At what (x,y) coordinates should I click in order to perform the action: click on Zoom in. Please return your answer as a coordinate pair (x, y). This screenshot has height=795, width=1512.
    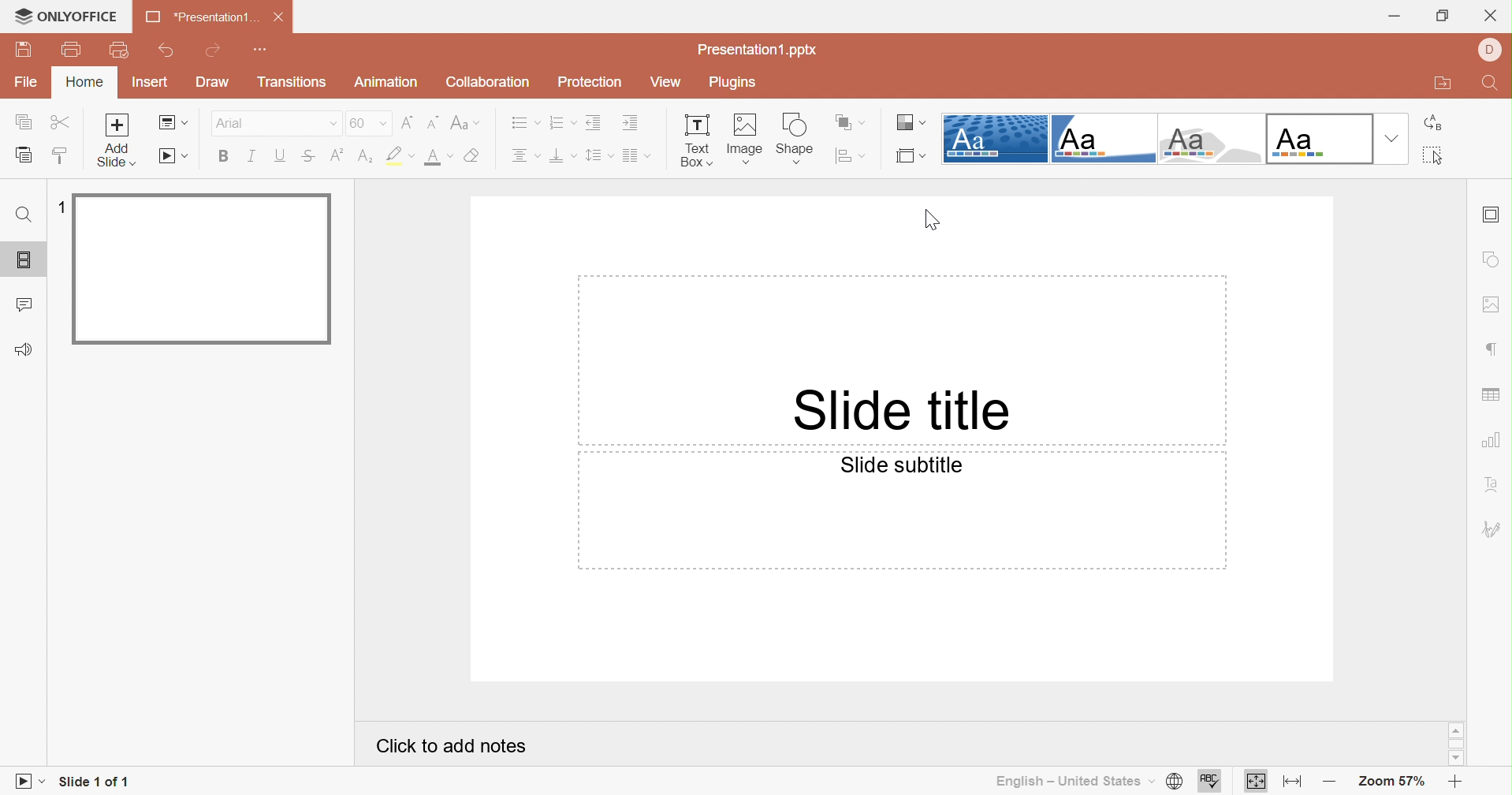
    Looking at the image, I should click on (1332, 784).